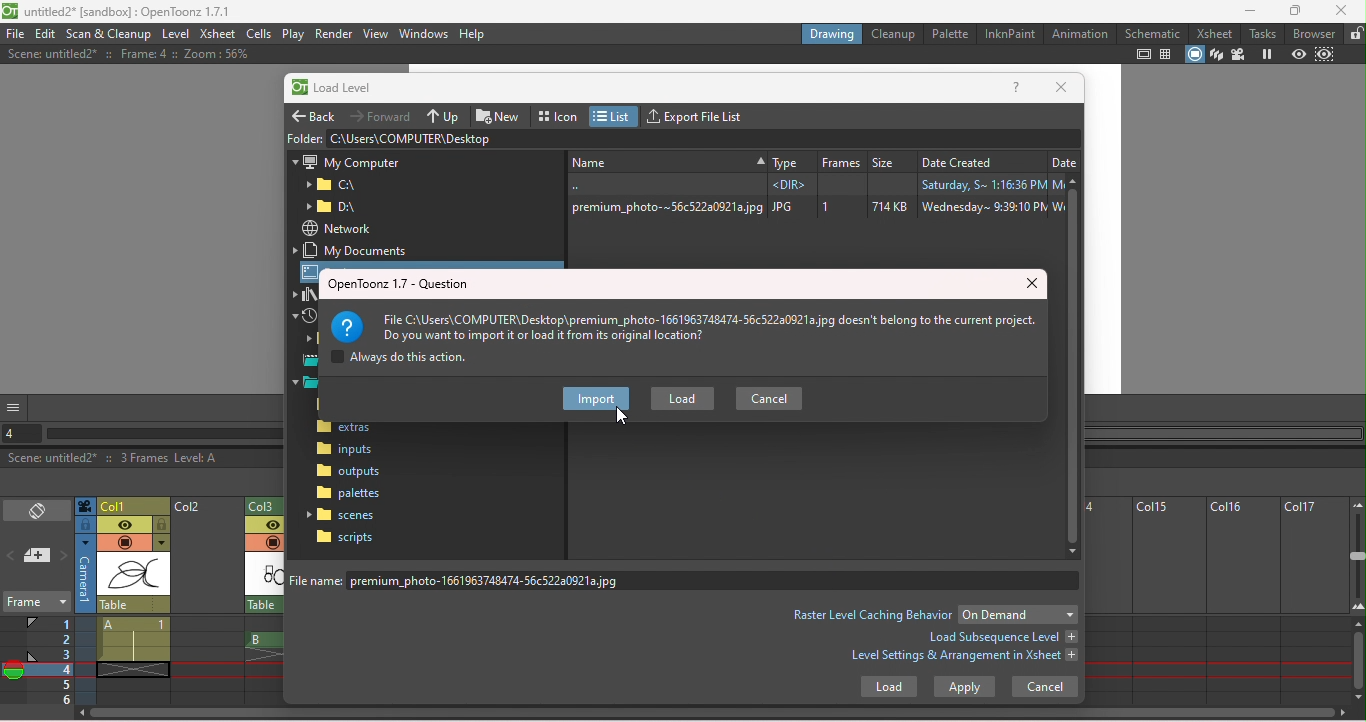  What do you see at coordinates (110, 34) in the screenshot?
I see `Scan & Cleanup` at bounding box center [110, 34].